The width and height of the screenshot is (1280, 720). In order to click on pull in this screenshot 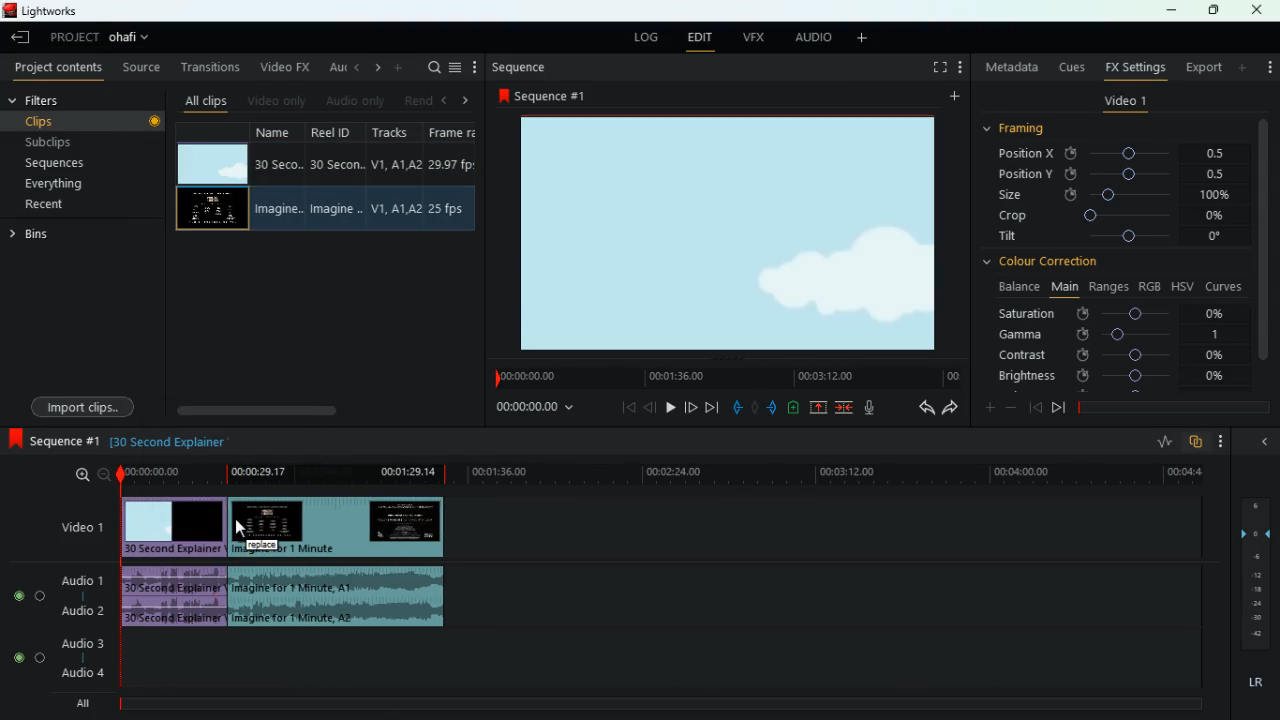, I will do `click(737, 408)`.